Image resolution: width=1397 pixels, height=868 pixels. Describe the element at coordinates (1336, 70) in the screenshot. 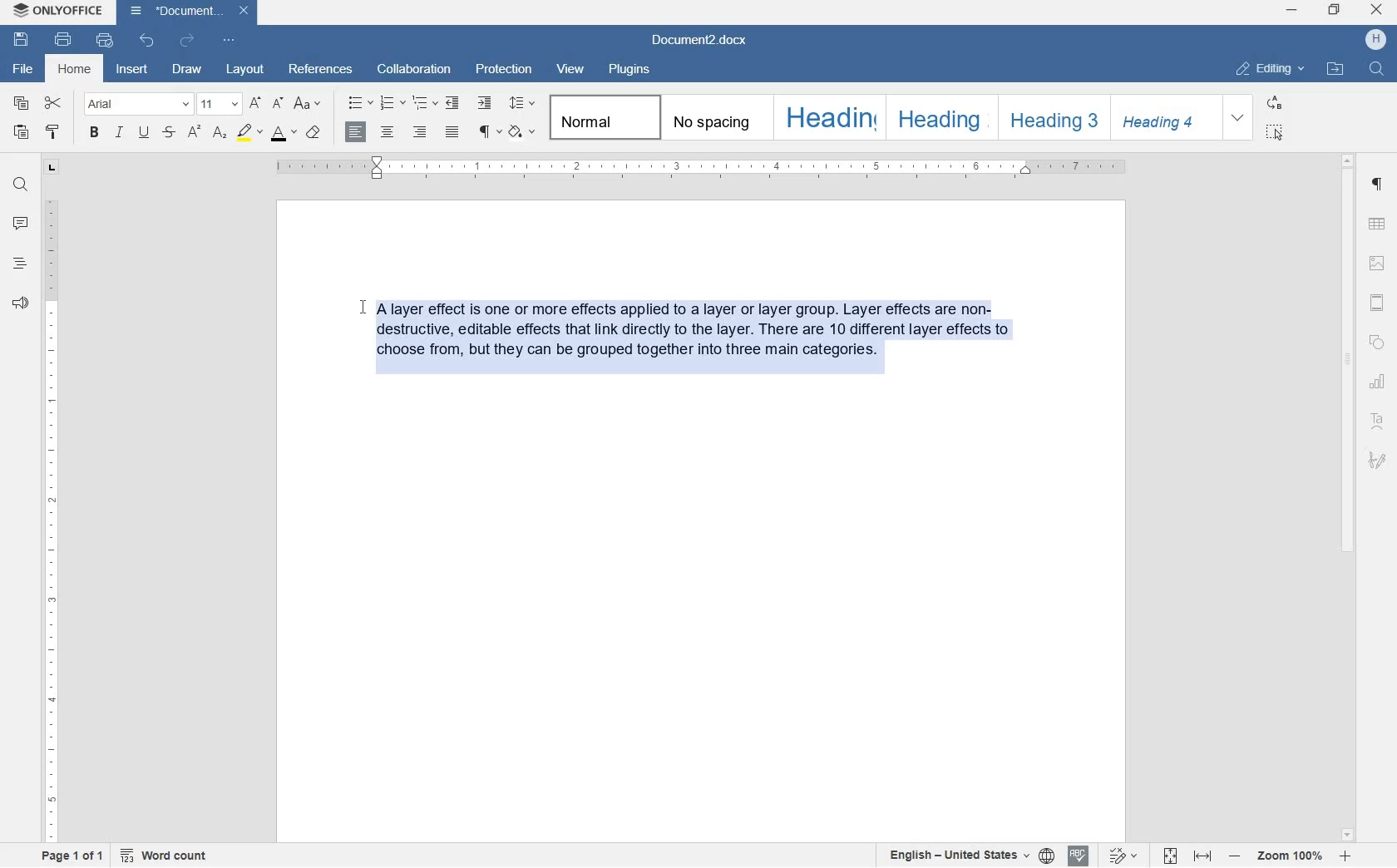

I see `open file location` at that location.